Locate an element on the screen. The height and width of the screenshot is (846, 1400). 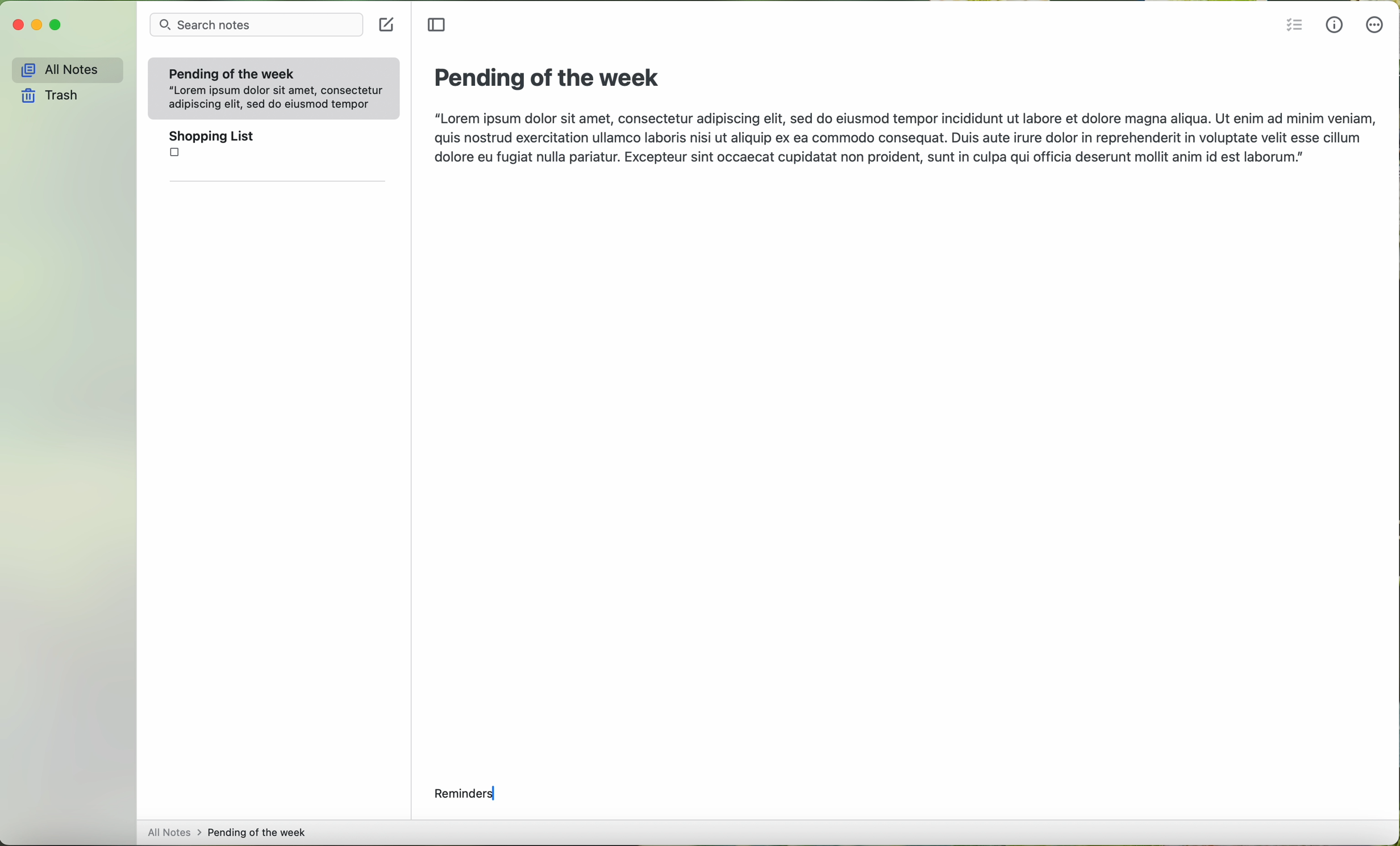
trash is located at coordinates (48, 95).